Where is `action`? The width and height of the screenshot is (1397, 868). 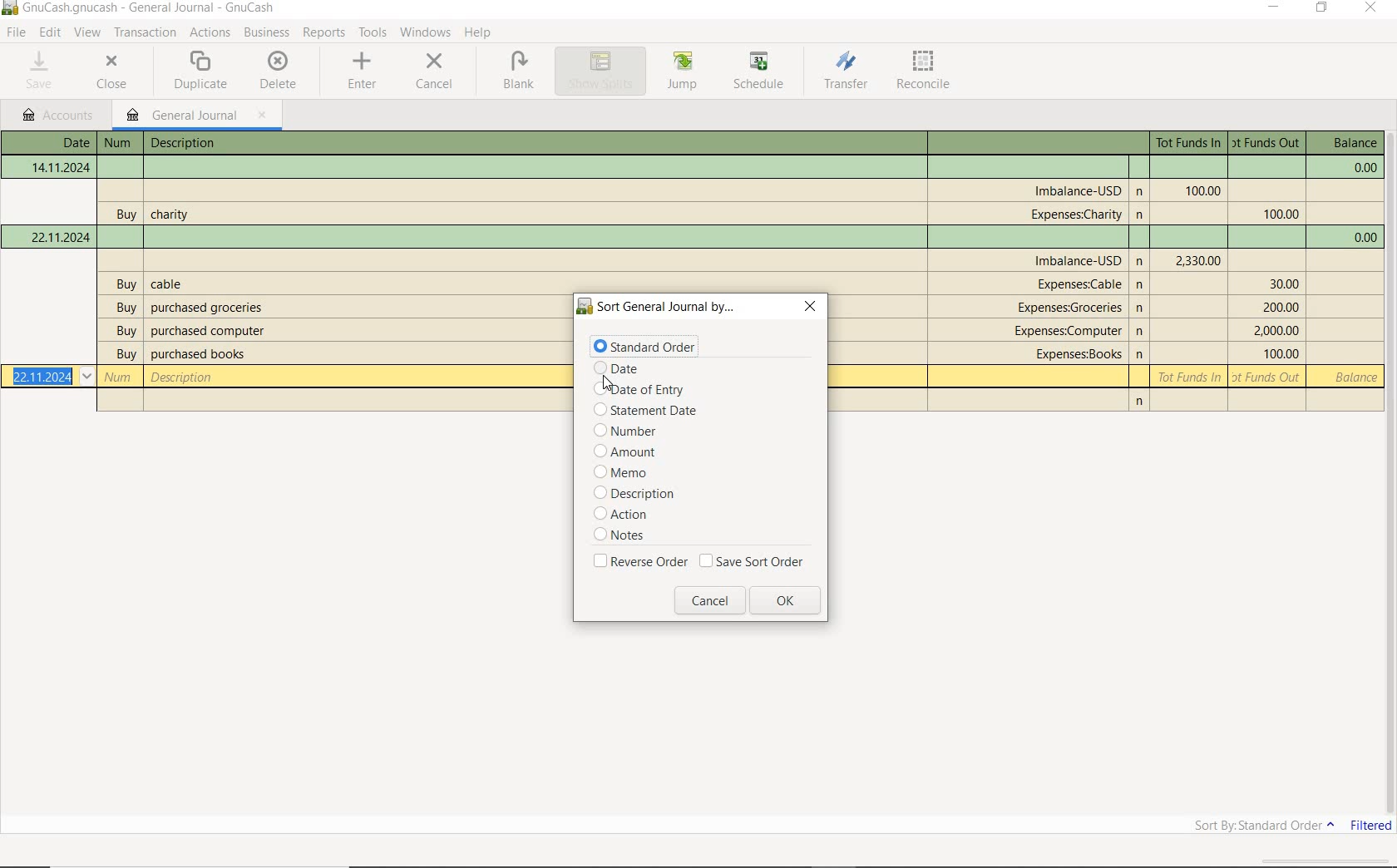 action is located at coordinates (627, 515).